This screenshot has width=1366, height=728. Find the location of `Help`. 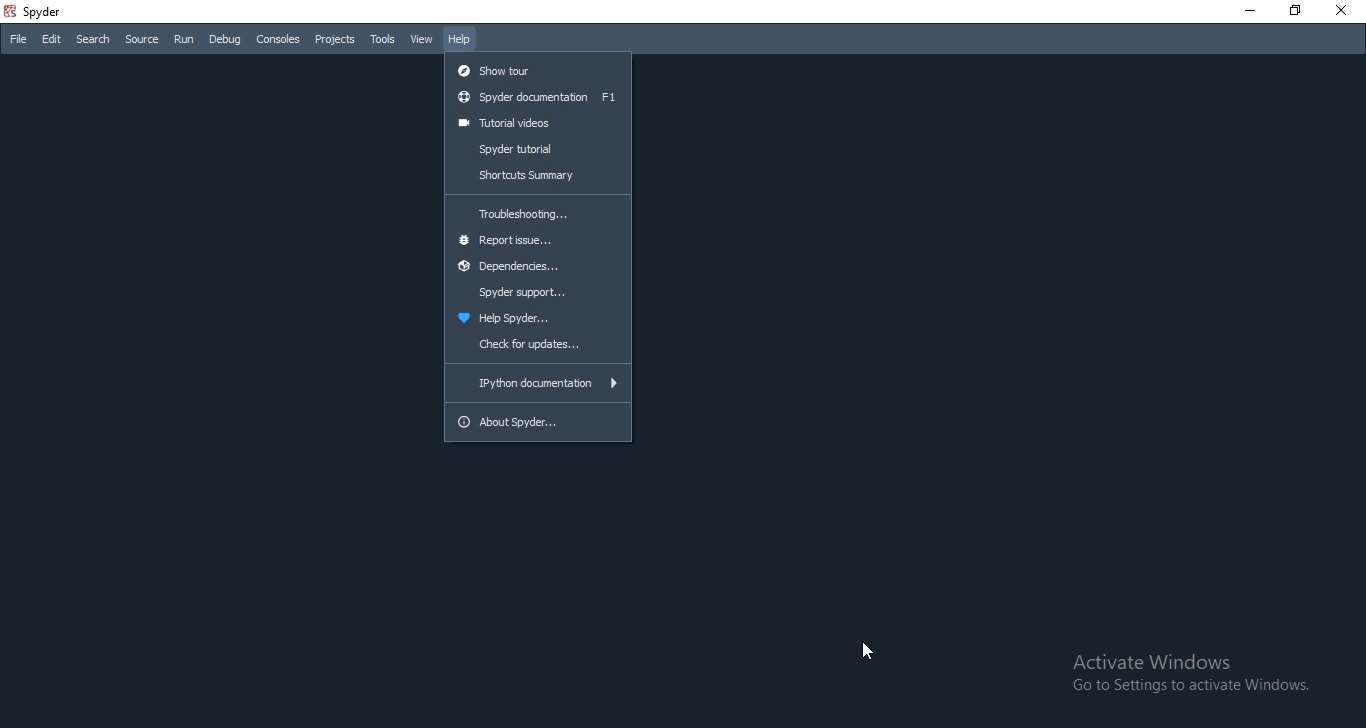

Help is located at coordinates (463, 37).